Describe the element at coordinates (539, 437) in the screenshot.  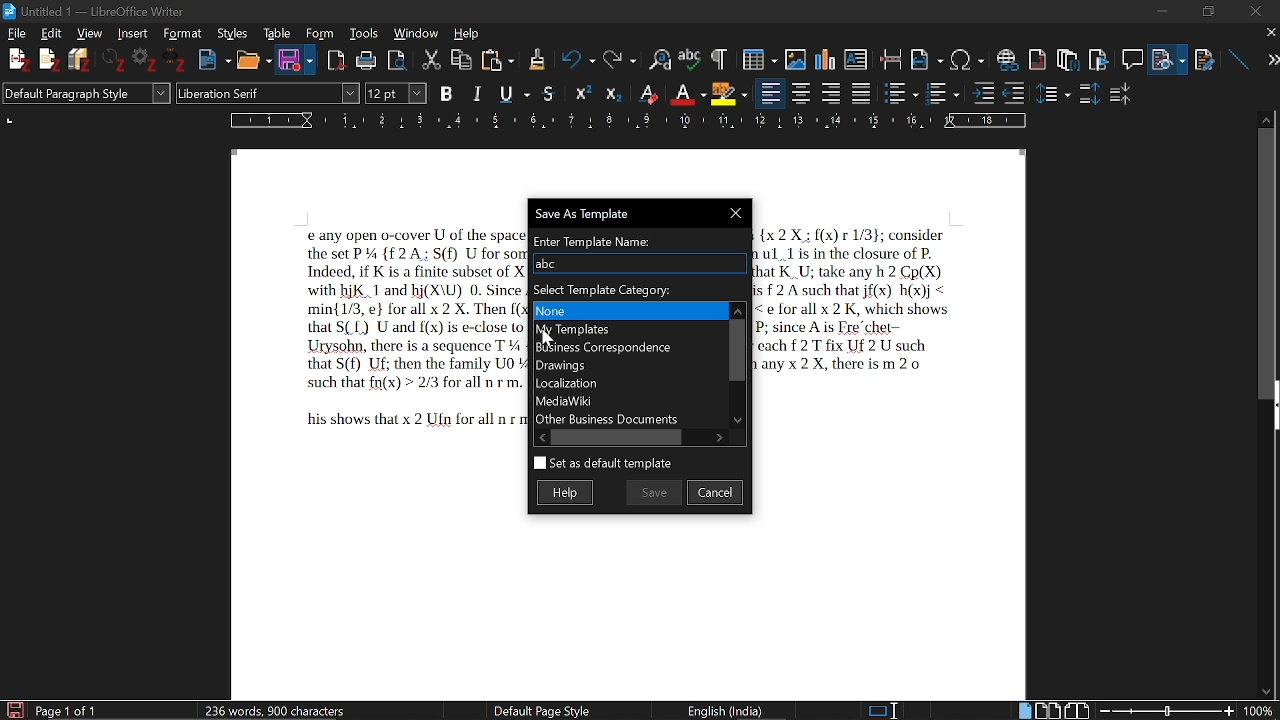
I see `Move left` at that location.